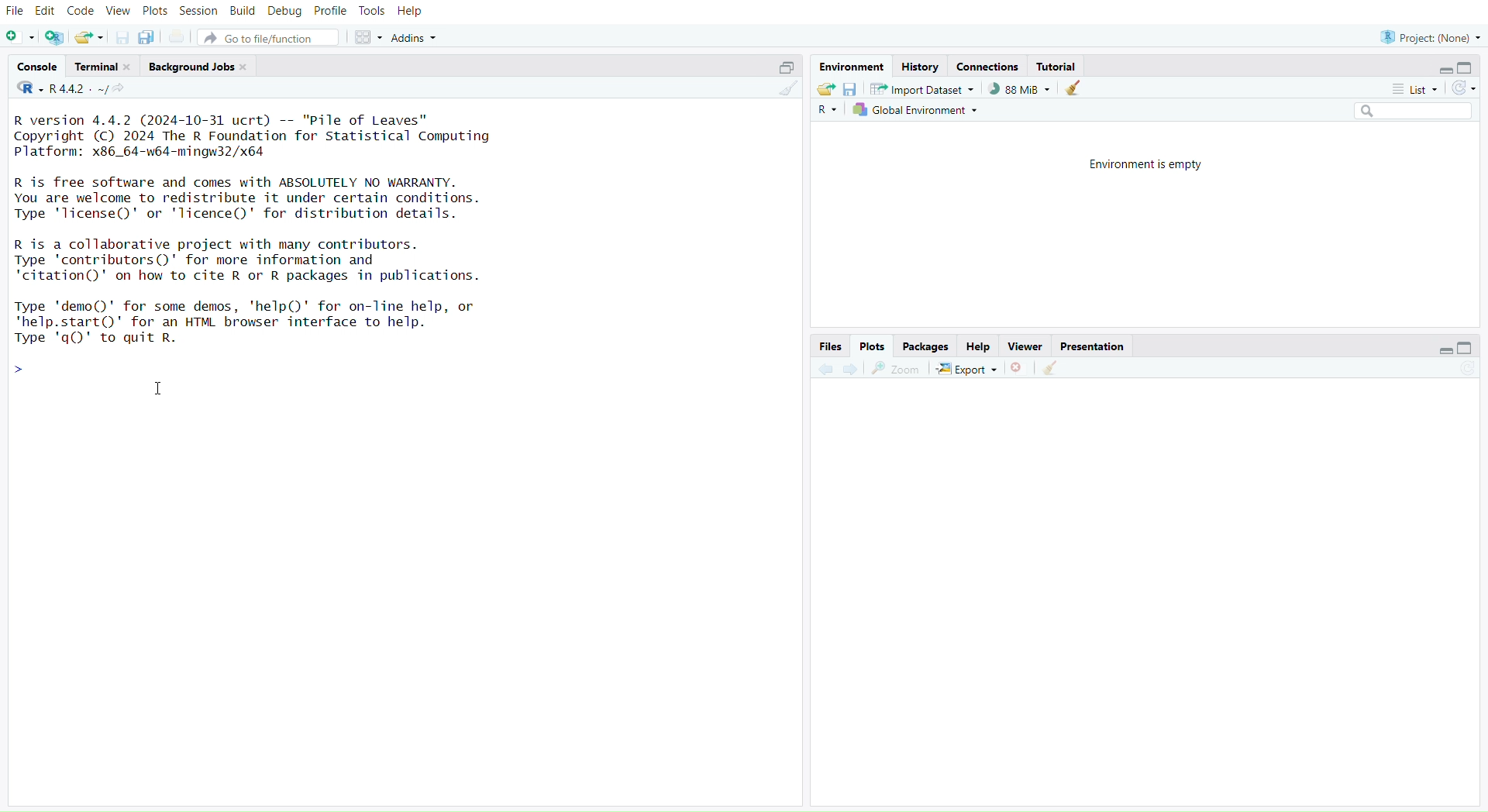  What do you see at coordinates (418, 38) in the screenshot?
I see `addins` at bounding box center [418, 38].